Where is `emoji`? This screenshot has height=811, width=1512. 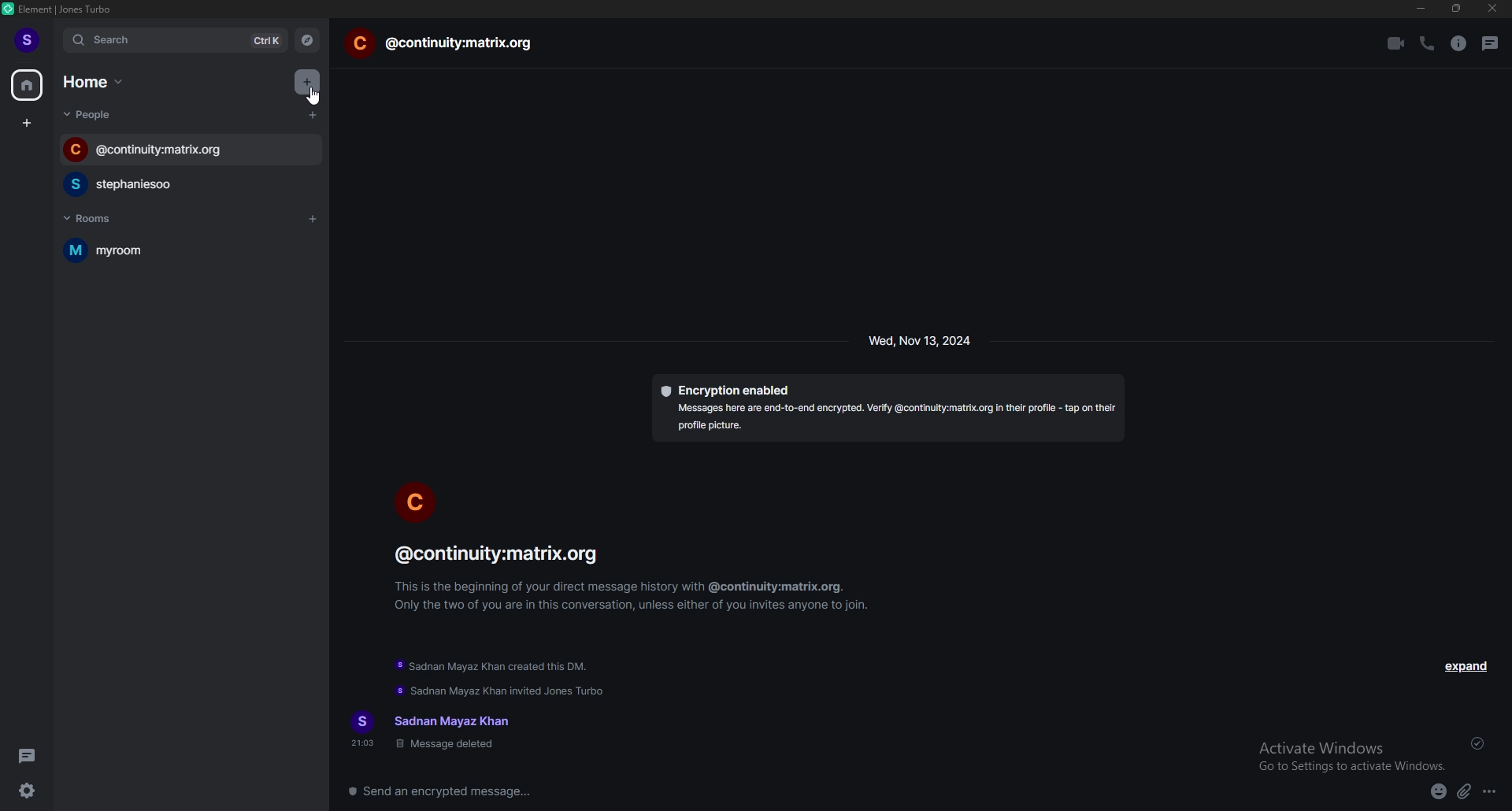 emoji is located at coordinates (1439, 793).